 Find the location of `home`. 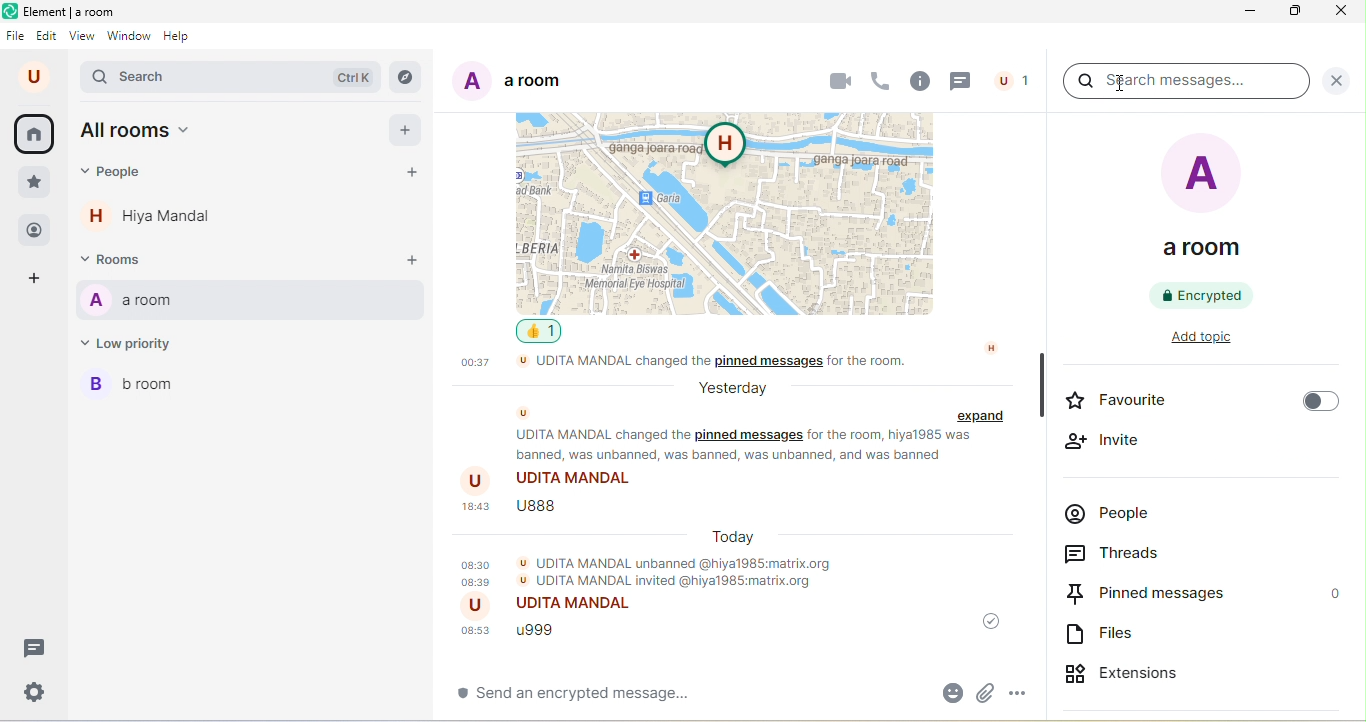

home is located at coordinates (38, 134).